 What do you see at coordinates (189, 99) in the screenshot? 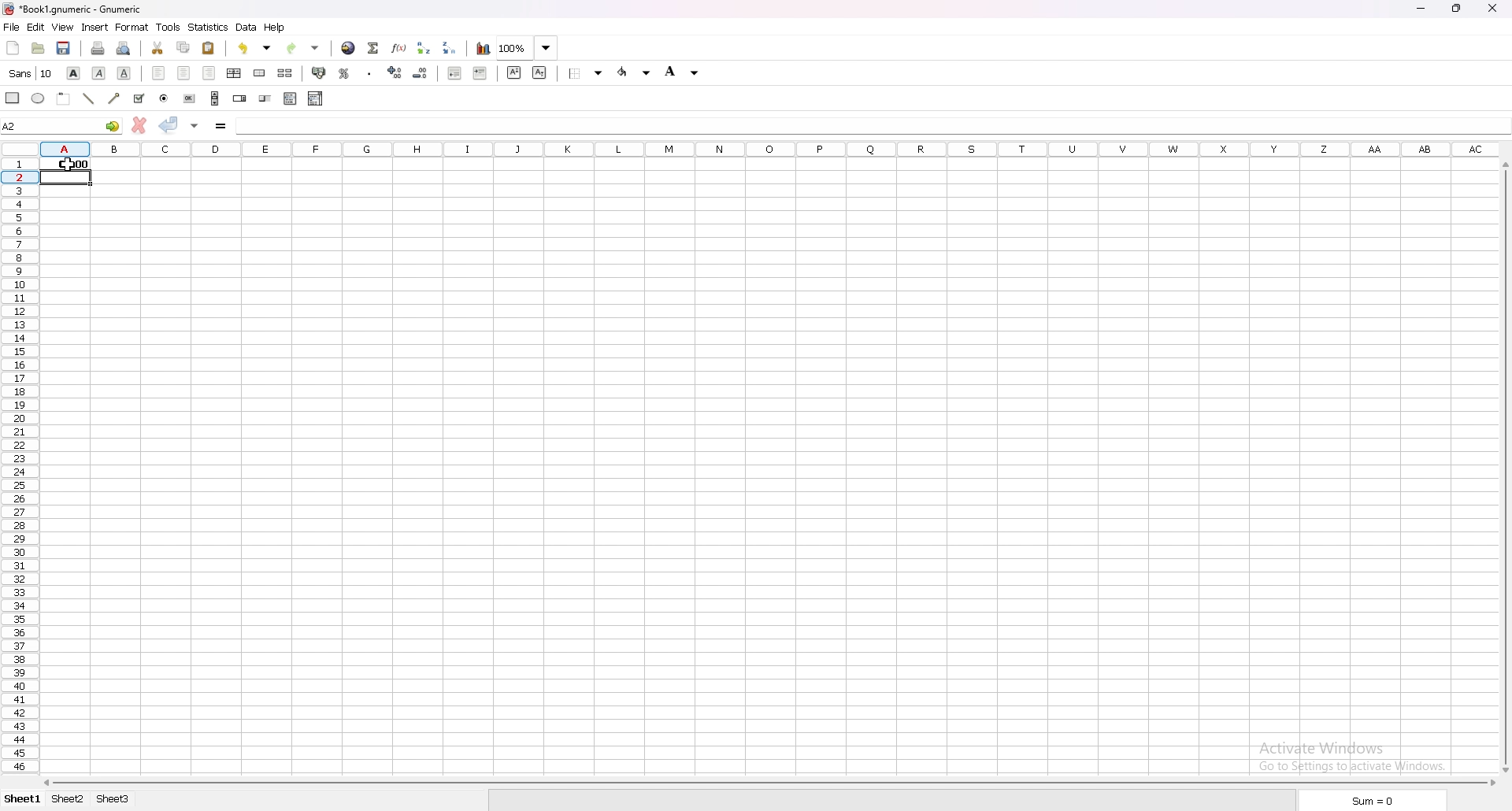
I see `button` at bounding box center [189, 99].